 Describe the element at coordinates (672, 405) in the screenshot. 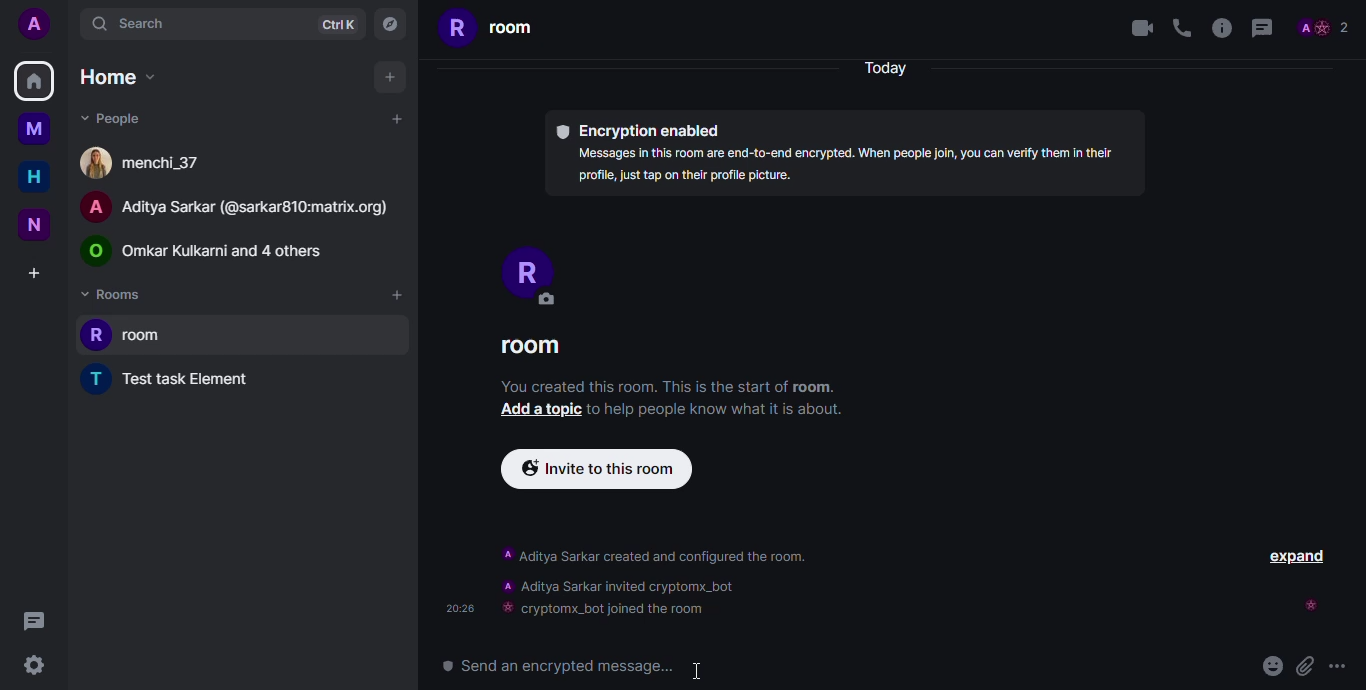

I see `‘You created this room. This Is the start of room.Add atopic to help people know what it is about.` at that location.